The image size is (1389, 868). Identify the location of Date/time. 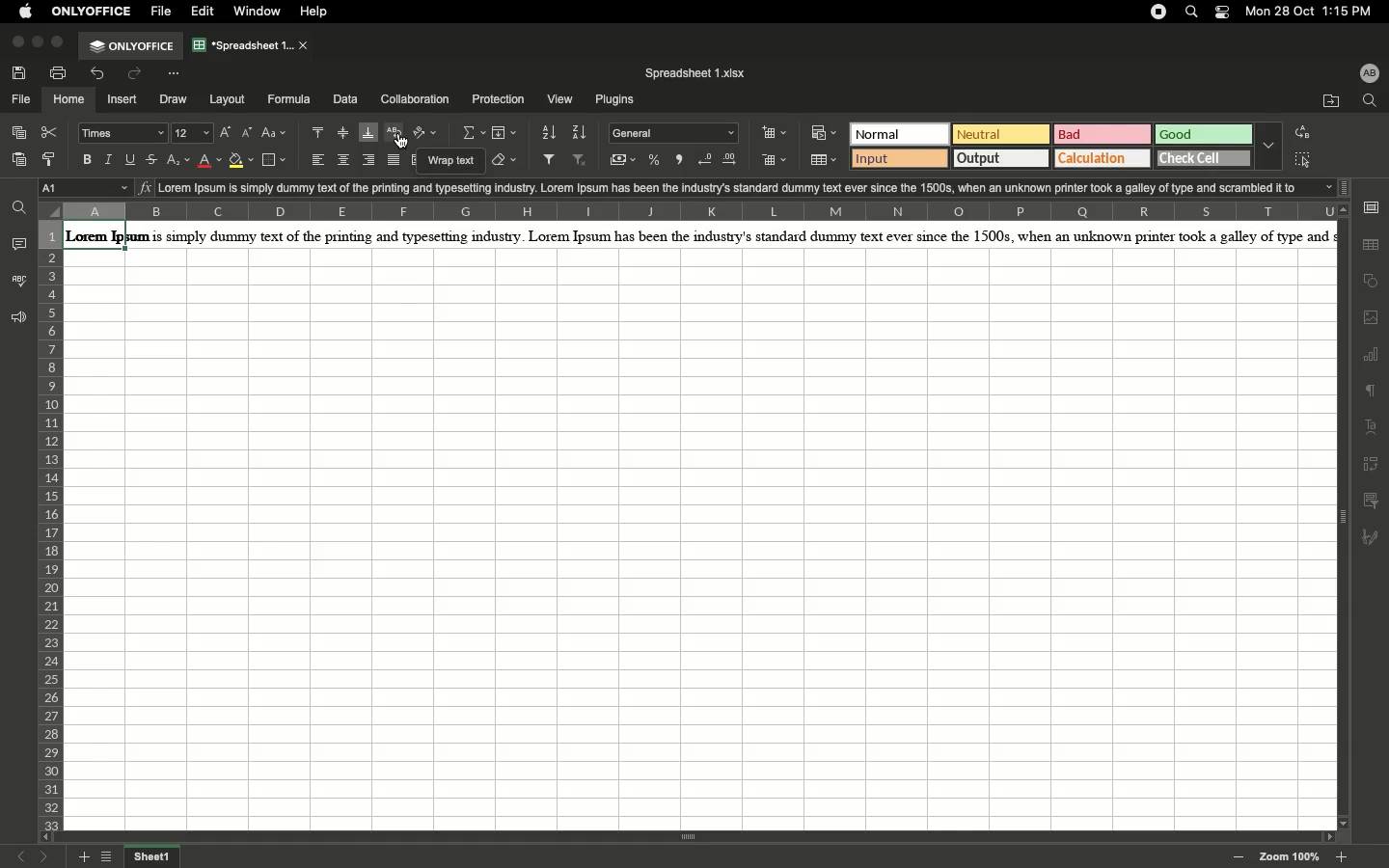
(1316, 13).